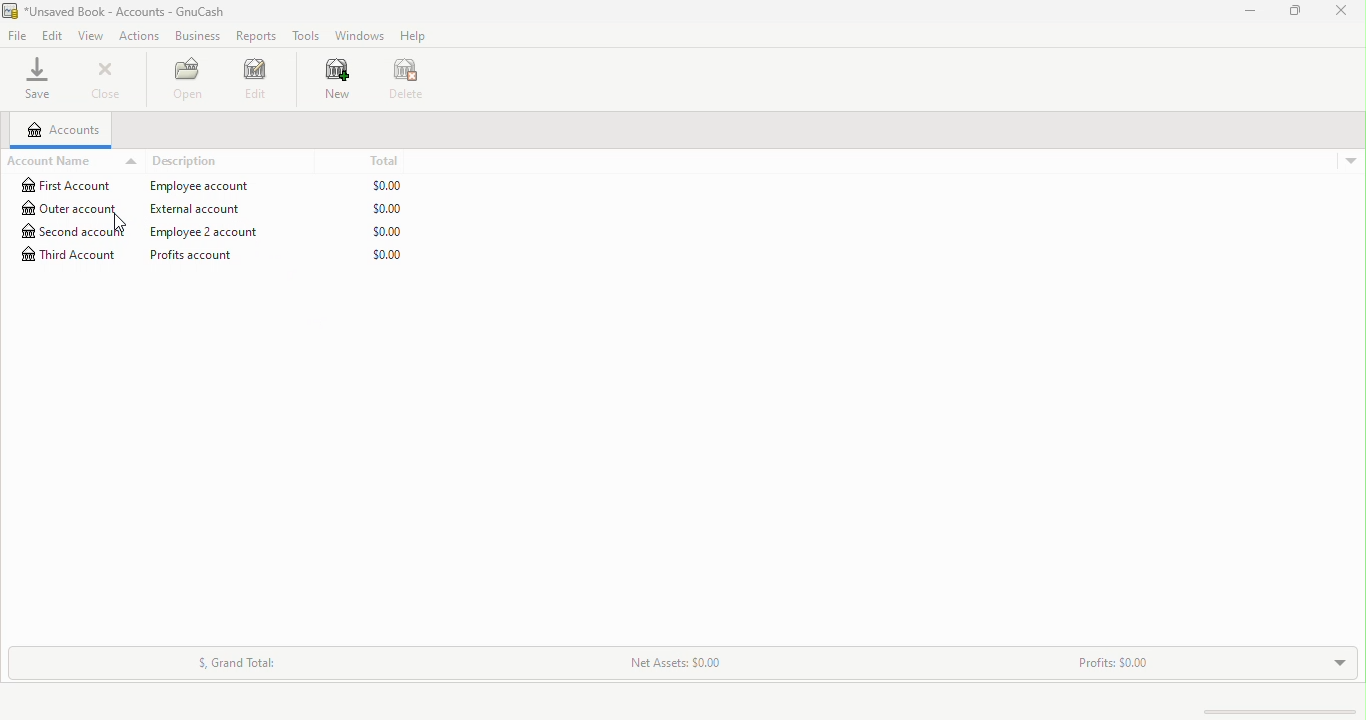 The height and width of the screenshot is (720, 1366). Describe the element at coordinates (218, 255) in the screenshot. I see `Third account` at that location.